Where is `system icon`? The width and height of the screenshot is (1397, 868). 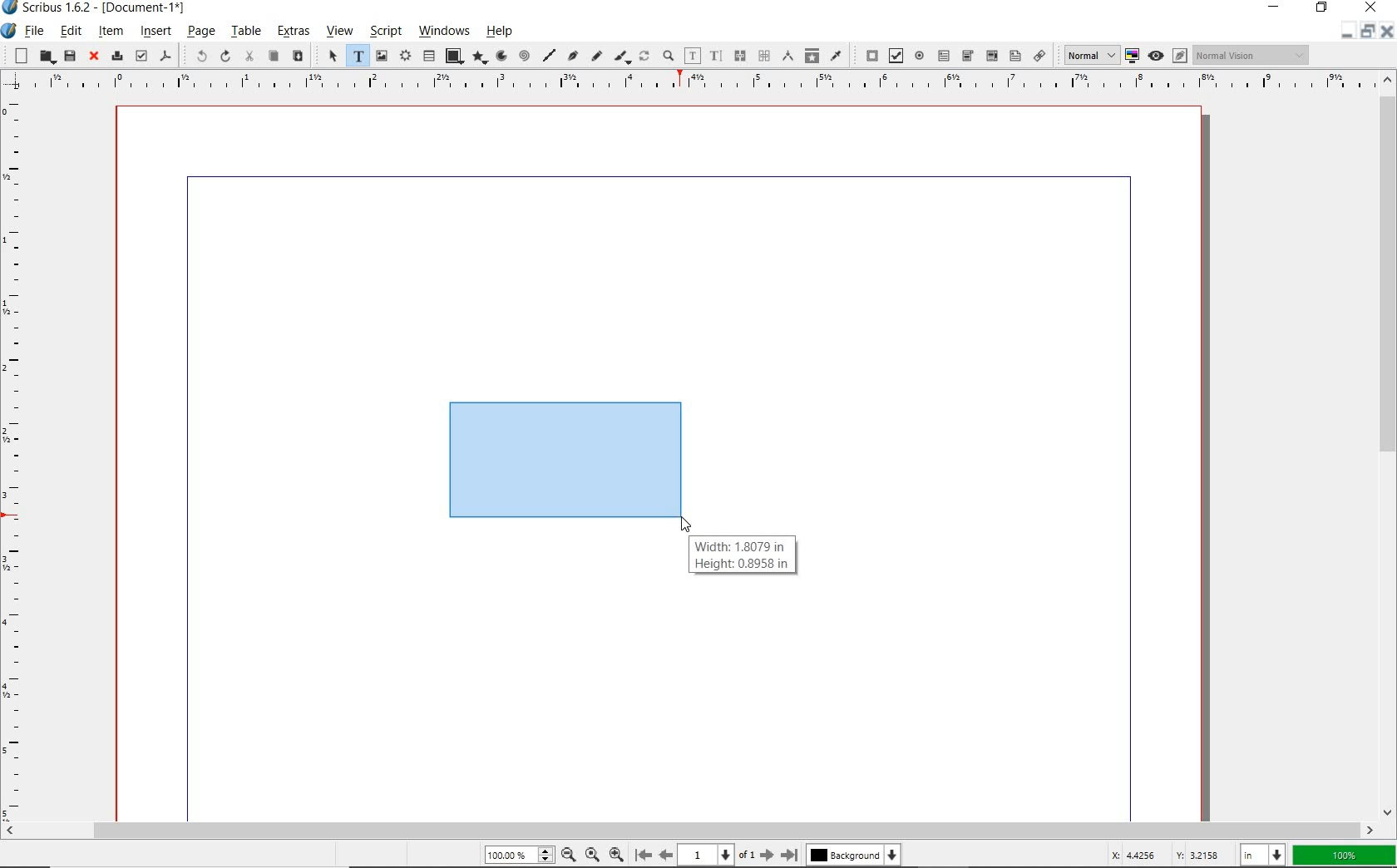 system icon is located at coordinates (7, 31).